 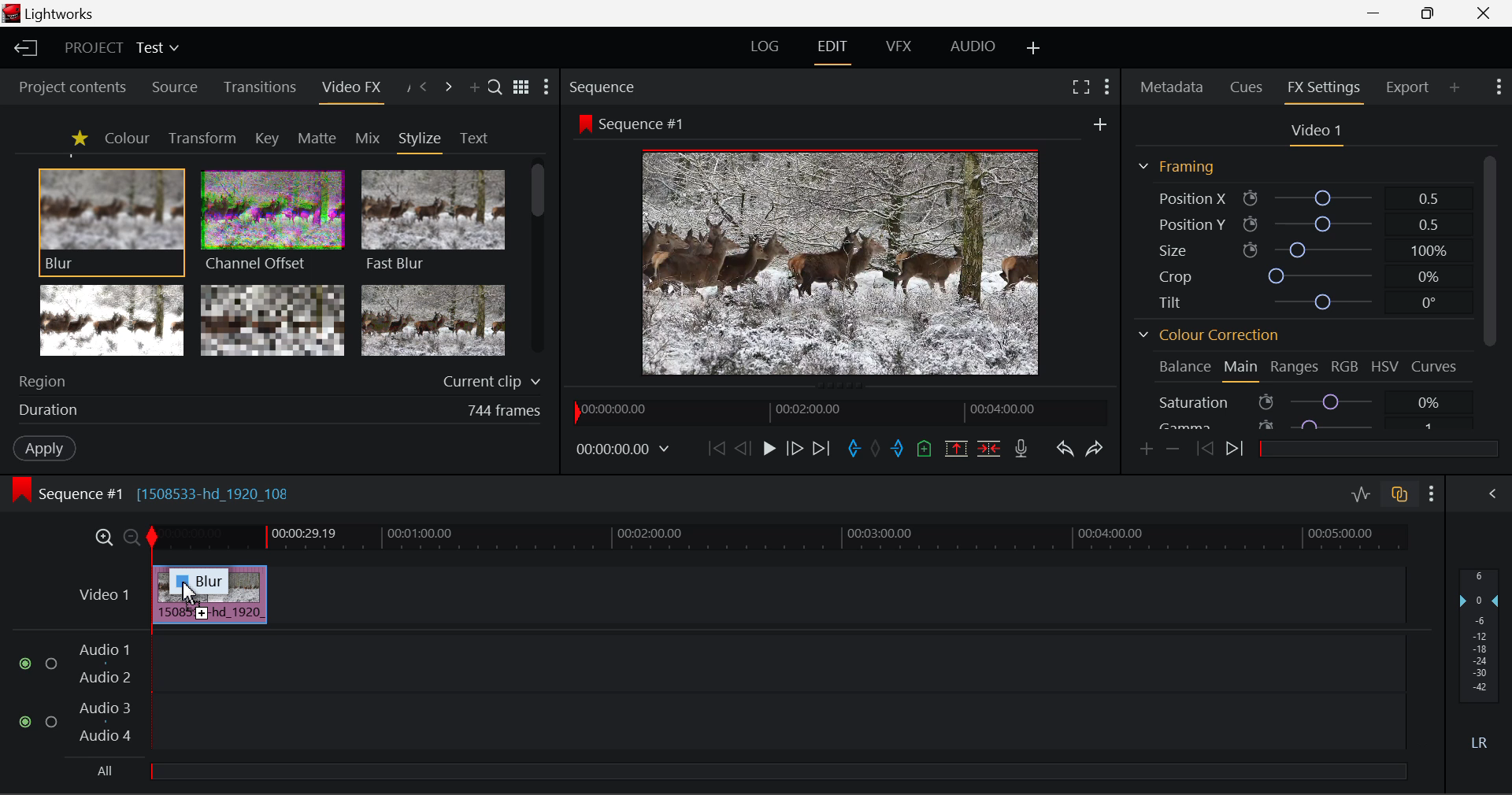 What do you see at coordinates (476, 137) in the screenshot?
I see `Text Panel Open` at bounding box center [476, 137].